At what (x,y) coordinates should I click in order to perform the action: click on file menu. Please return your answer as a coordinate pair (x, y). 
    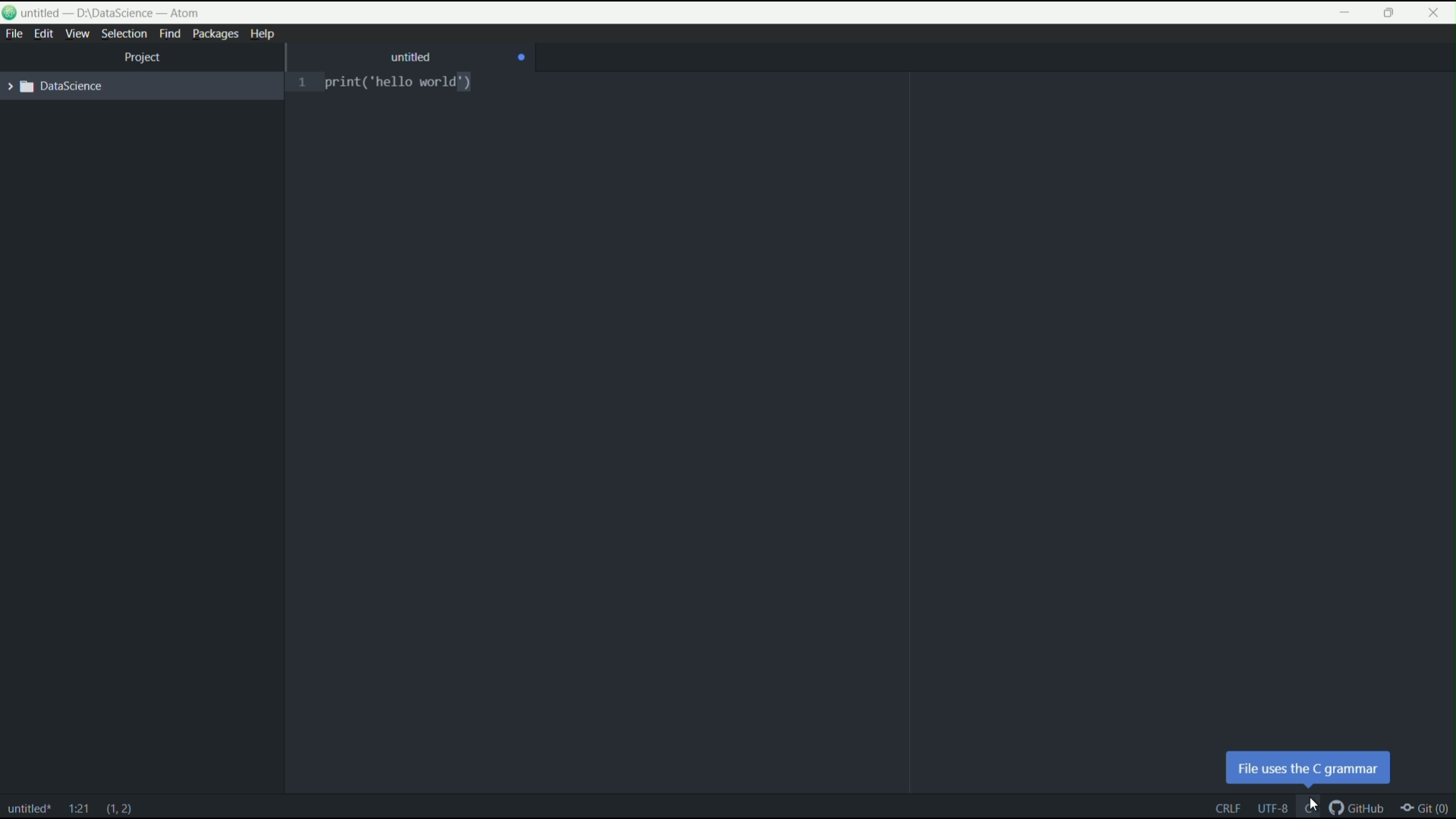
    Looking at the image, I should click on (14, 34).